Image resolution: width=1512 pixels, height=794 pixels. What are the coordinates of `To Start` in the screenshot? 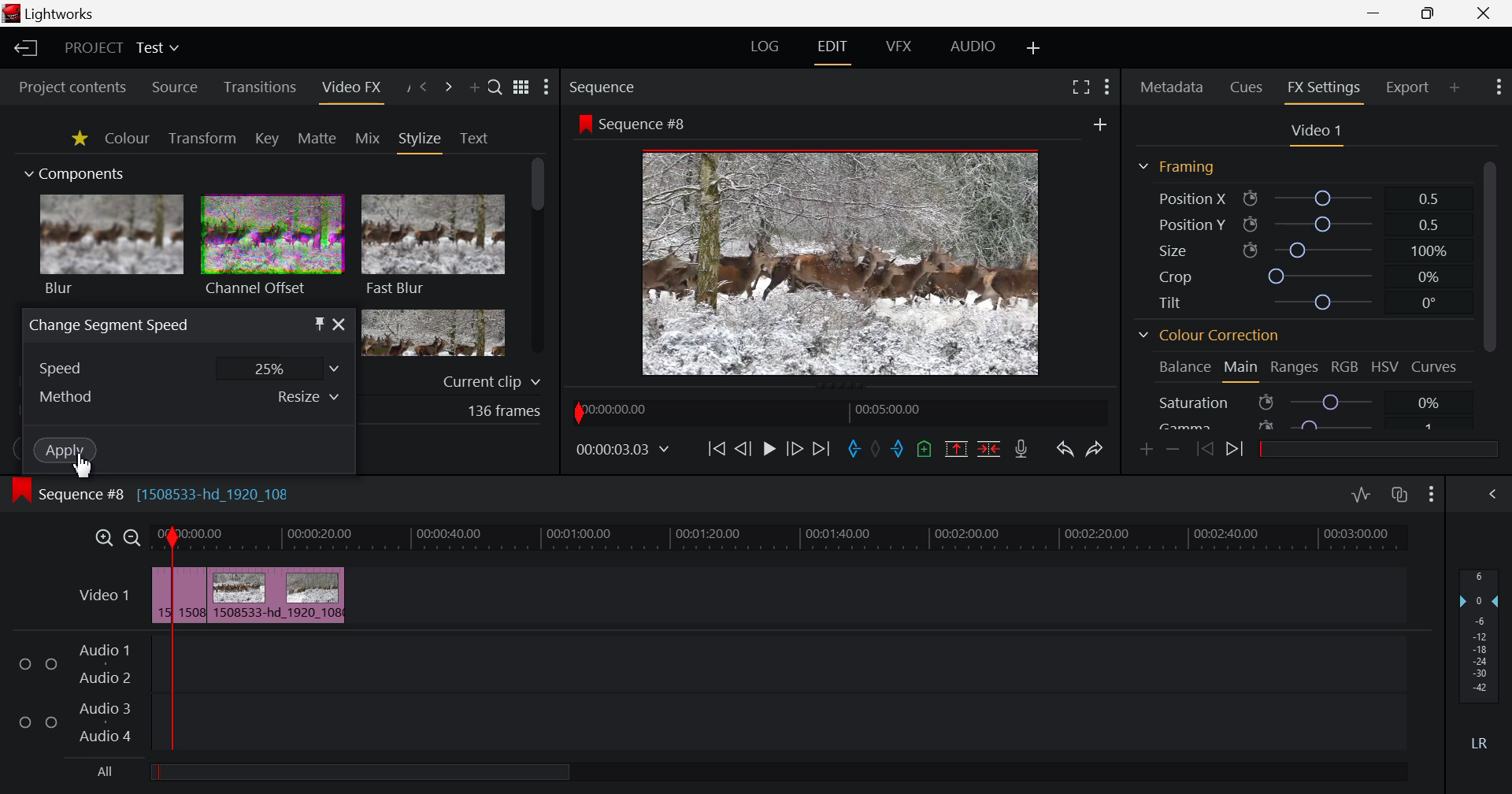 It's located at (717, 449).